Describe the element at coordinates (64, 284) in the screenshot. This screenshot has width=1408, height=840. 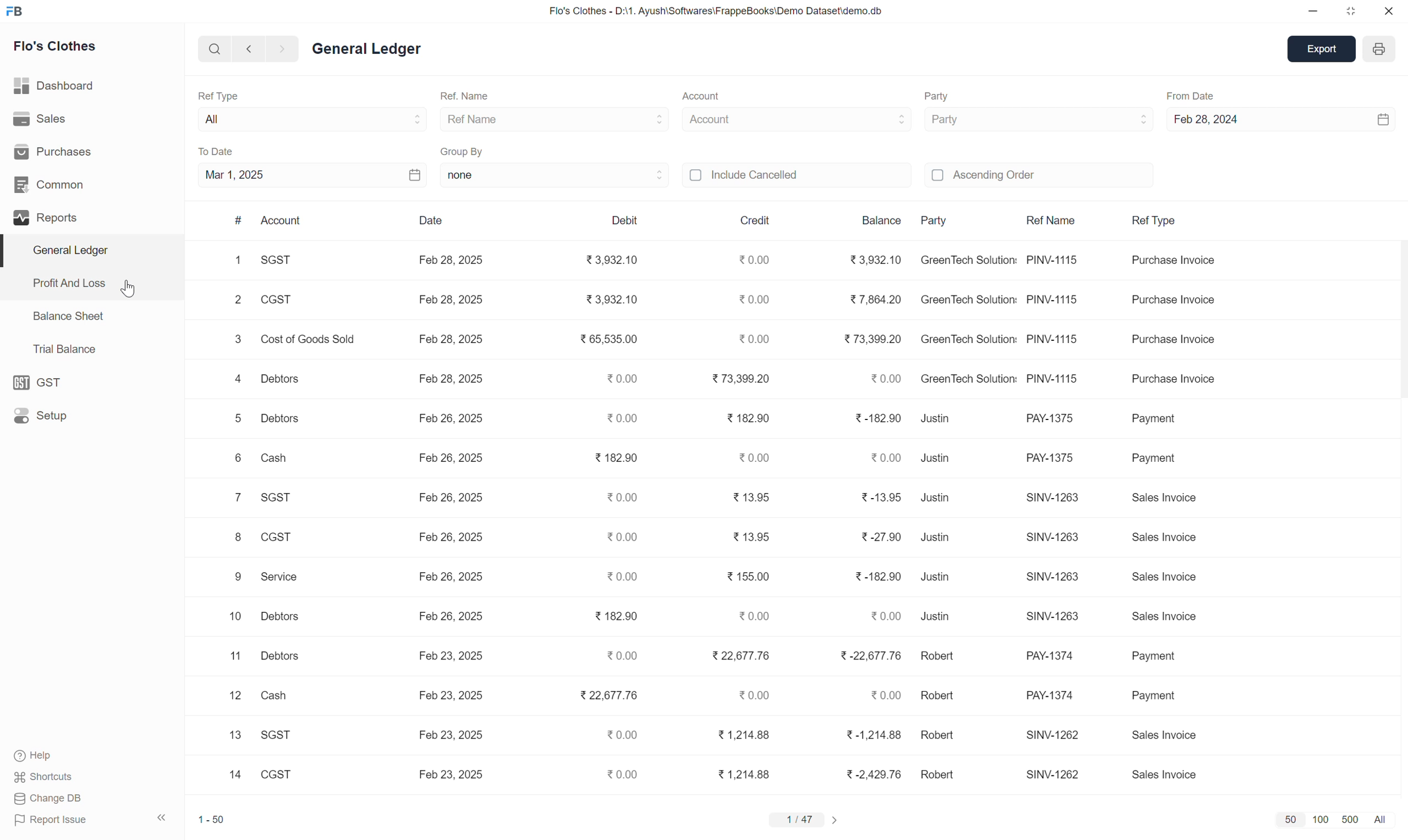
I see `Profit And Loss` at that location.